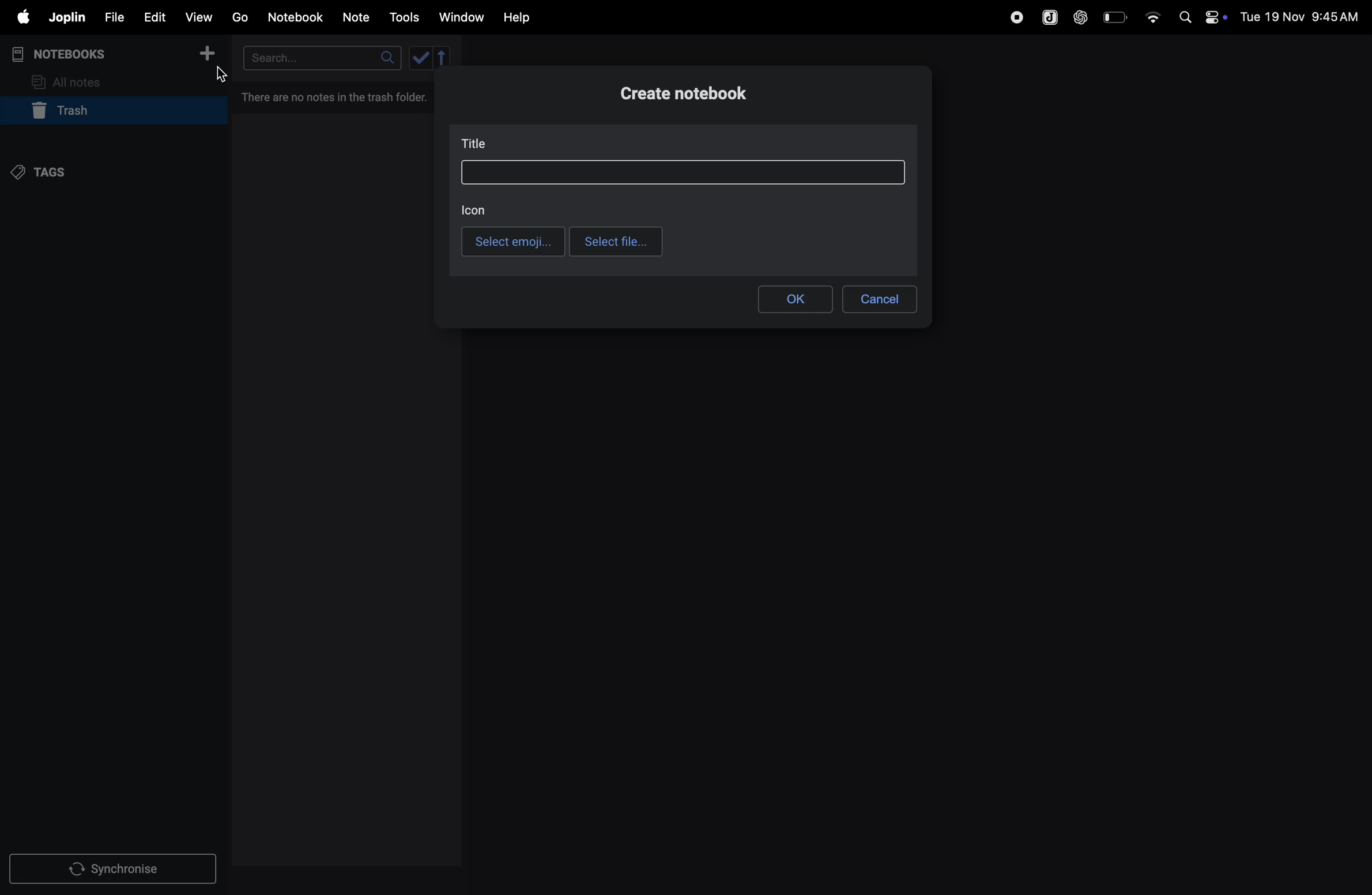  I want to click on check box, so click(432, 57).